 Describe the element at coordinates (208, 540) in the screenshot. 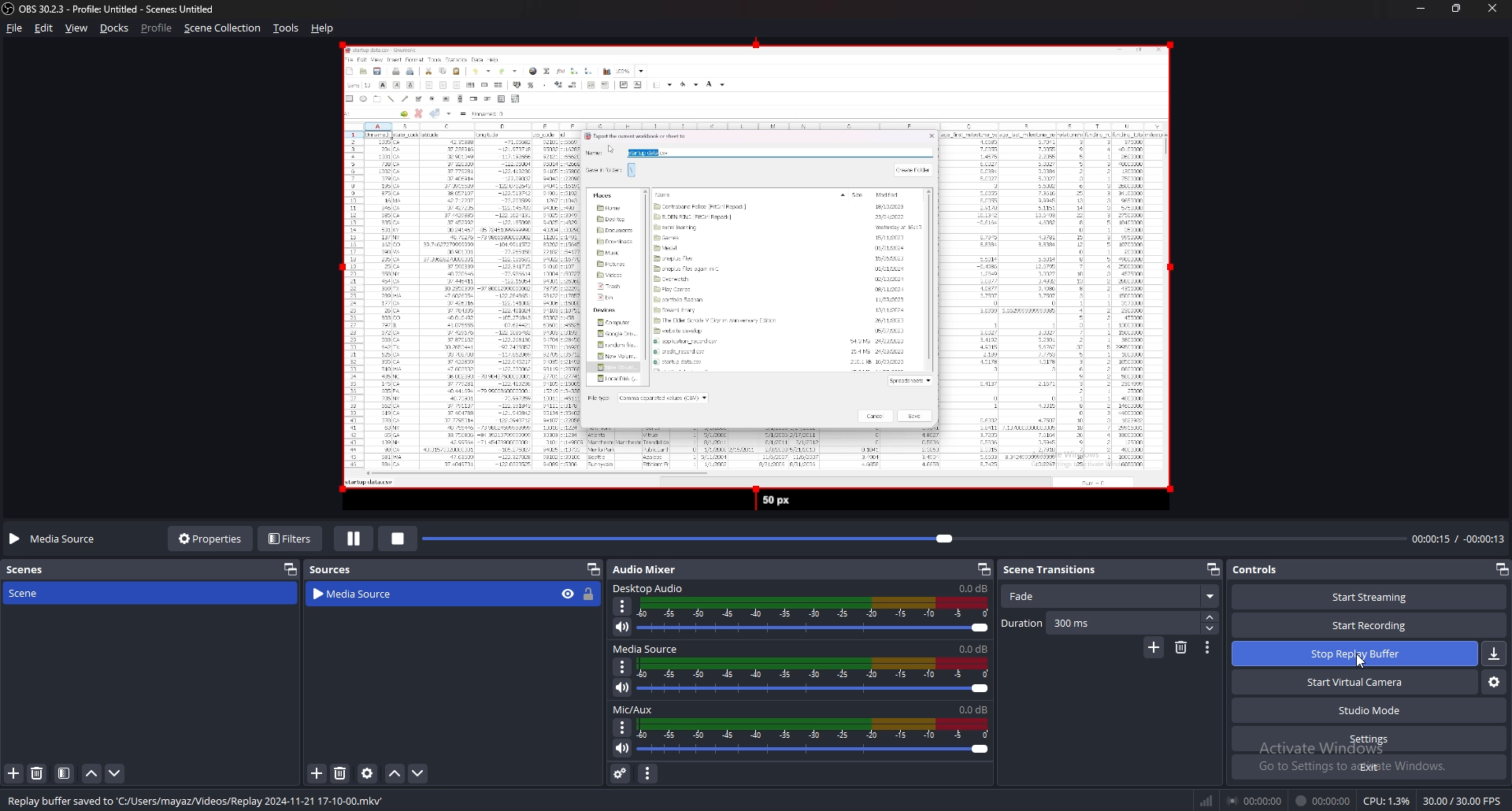

I see `properties` at that location.